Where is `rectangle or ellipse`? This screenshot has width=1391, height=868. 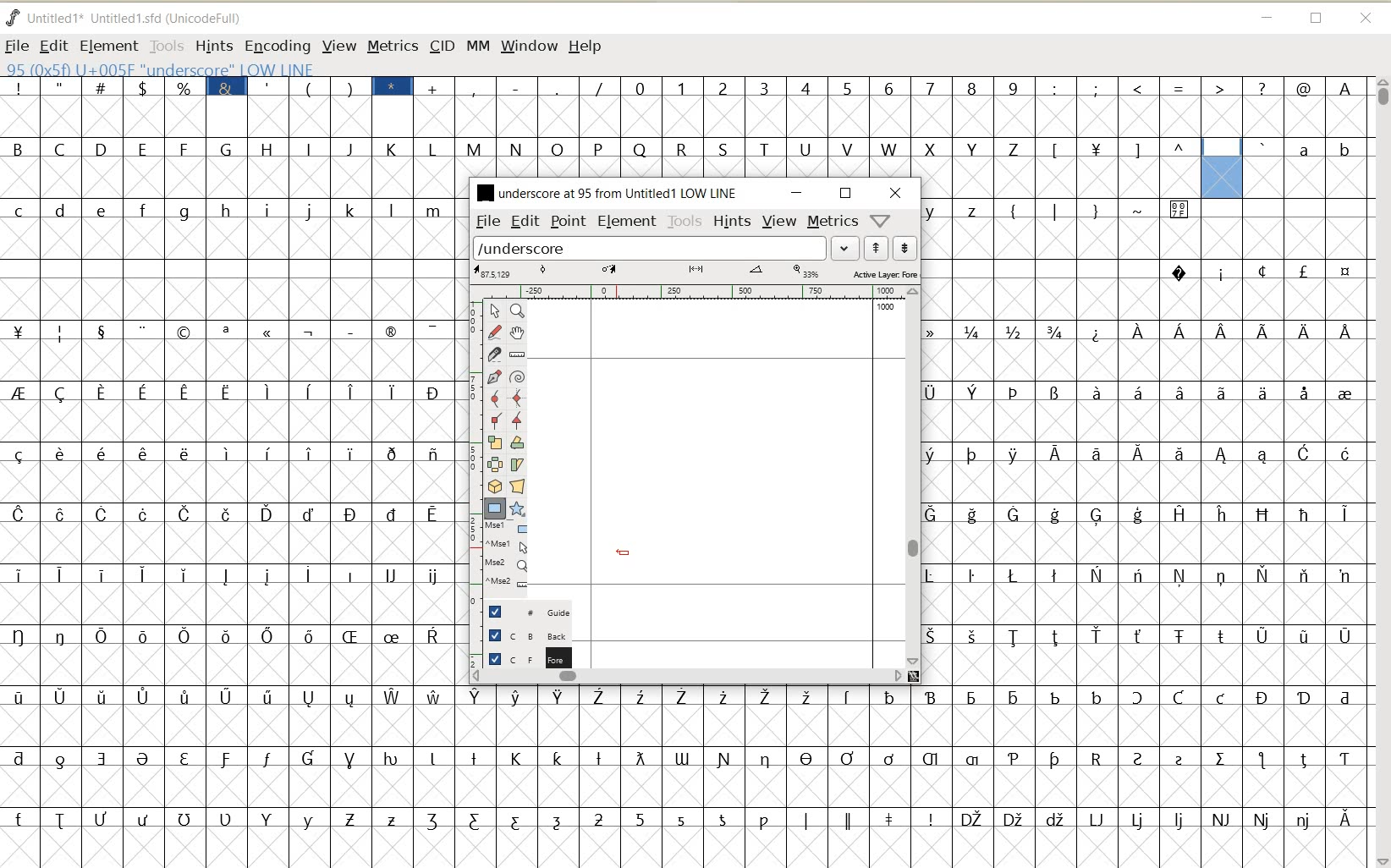 rectangle or ellipse is located at coordinates (496, 508).